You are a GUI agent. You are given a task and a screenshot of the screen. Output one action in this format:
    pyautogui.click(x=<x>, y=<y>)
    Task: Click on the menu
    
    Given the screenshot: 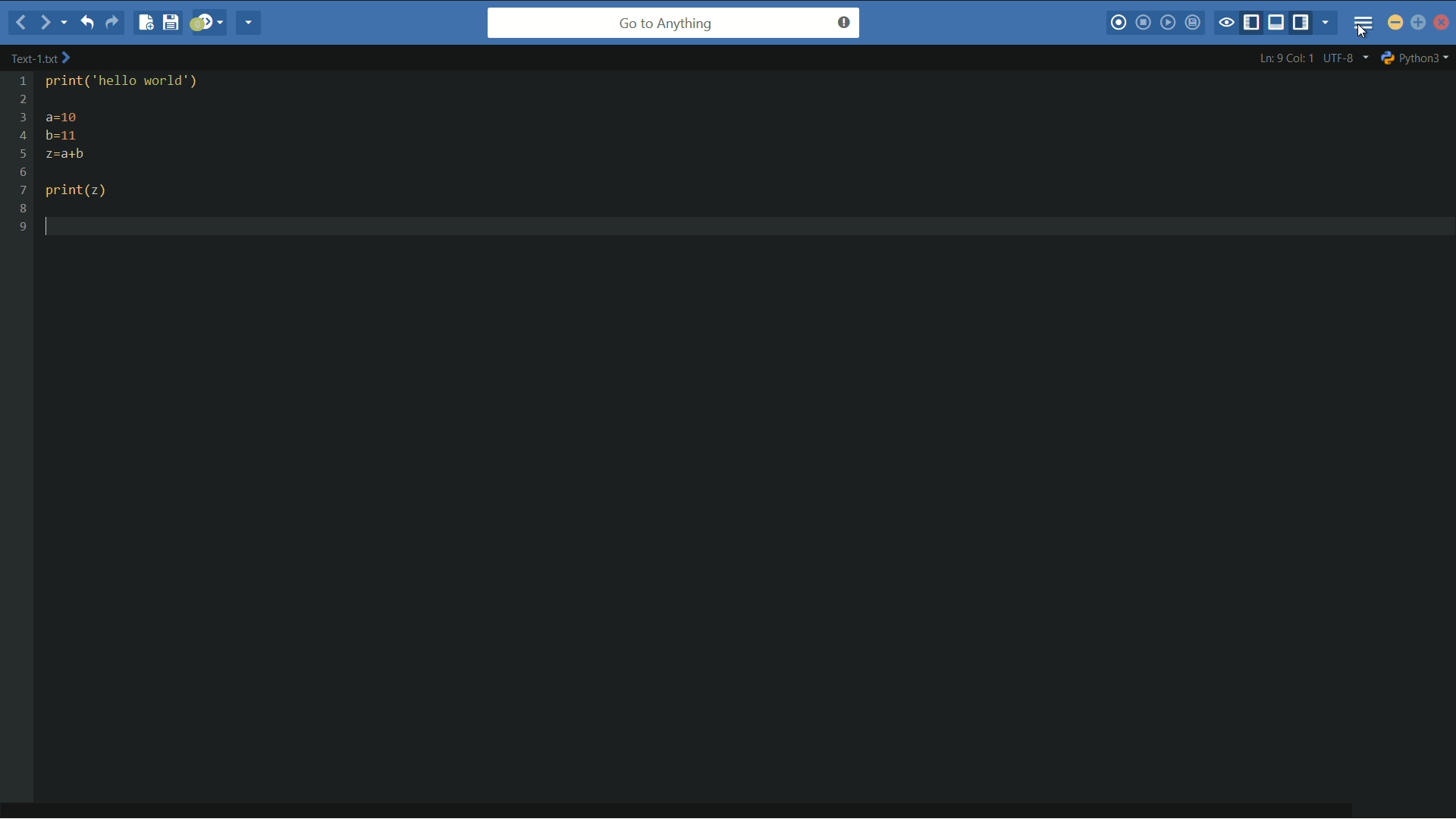 What is the action you would take?
    pyautogui.click(x=1363, y=22)
    